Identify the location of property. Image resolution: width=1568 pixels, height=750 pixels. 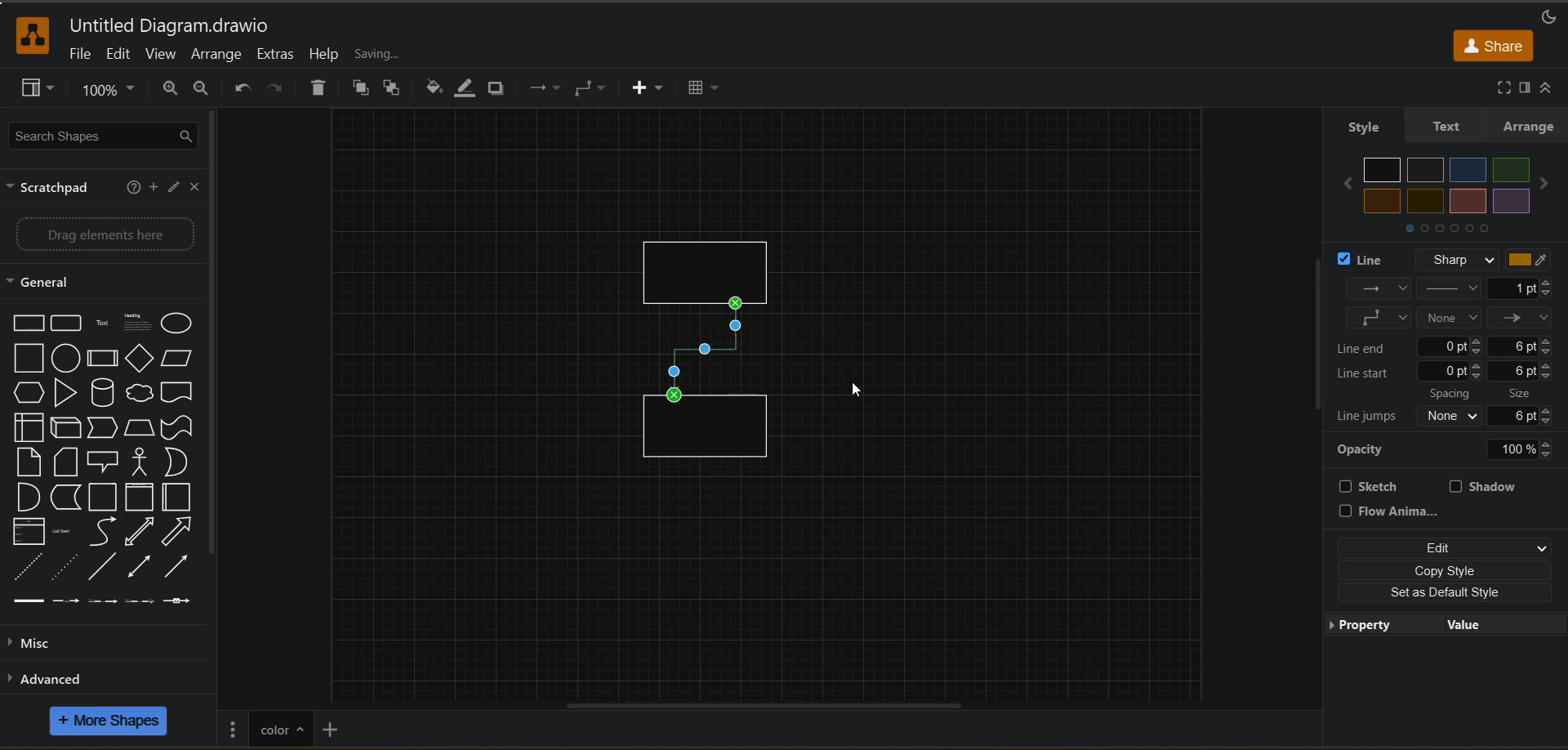
(1367, 627).